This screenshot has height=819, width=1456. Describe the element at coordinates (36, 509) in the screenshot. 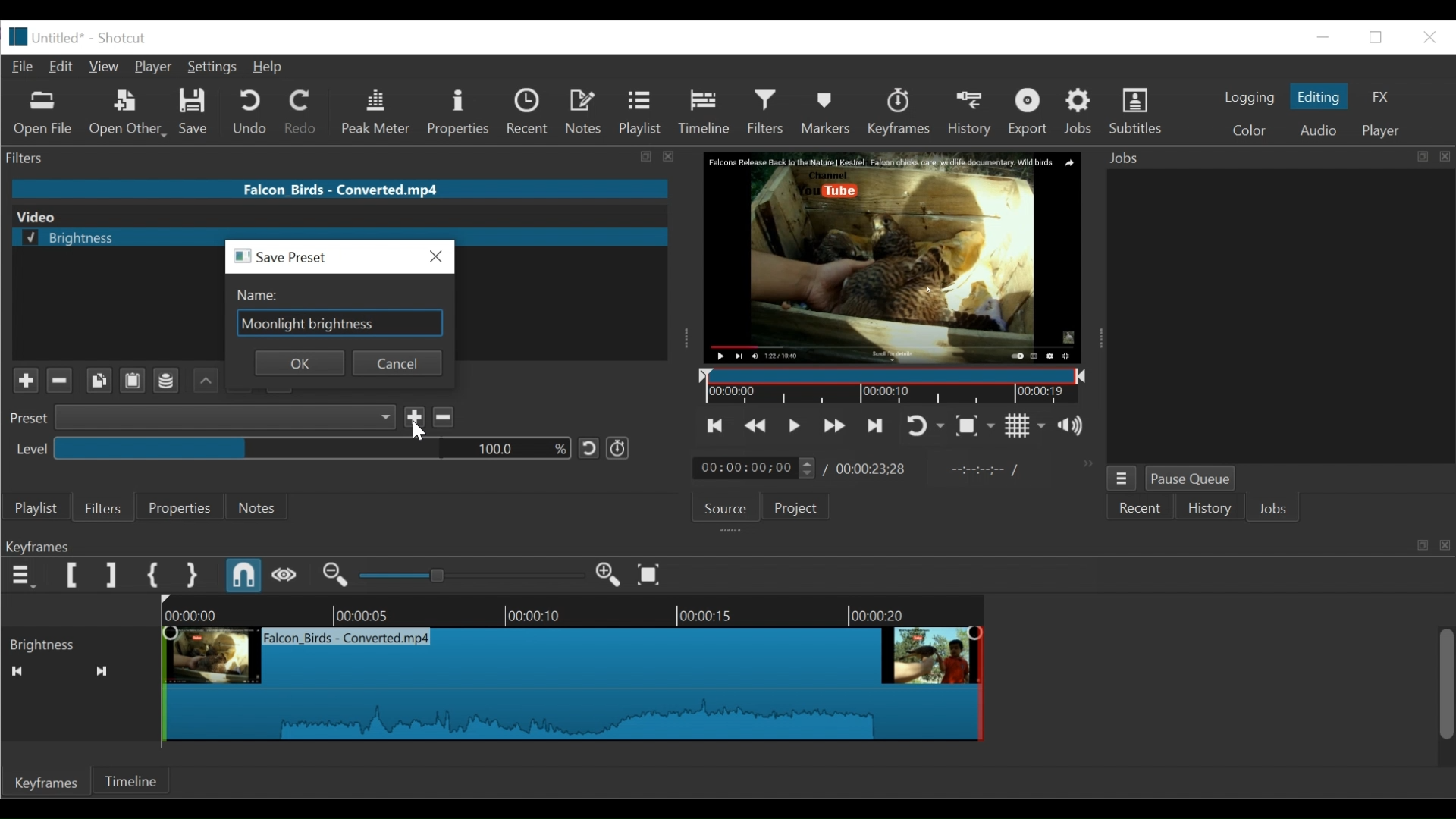

I see `Playlist menu` at that location.